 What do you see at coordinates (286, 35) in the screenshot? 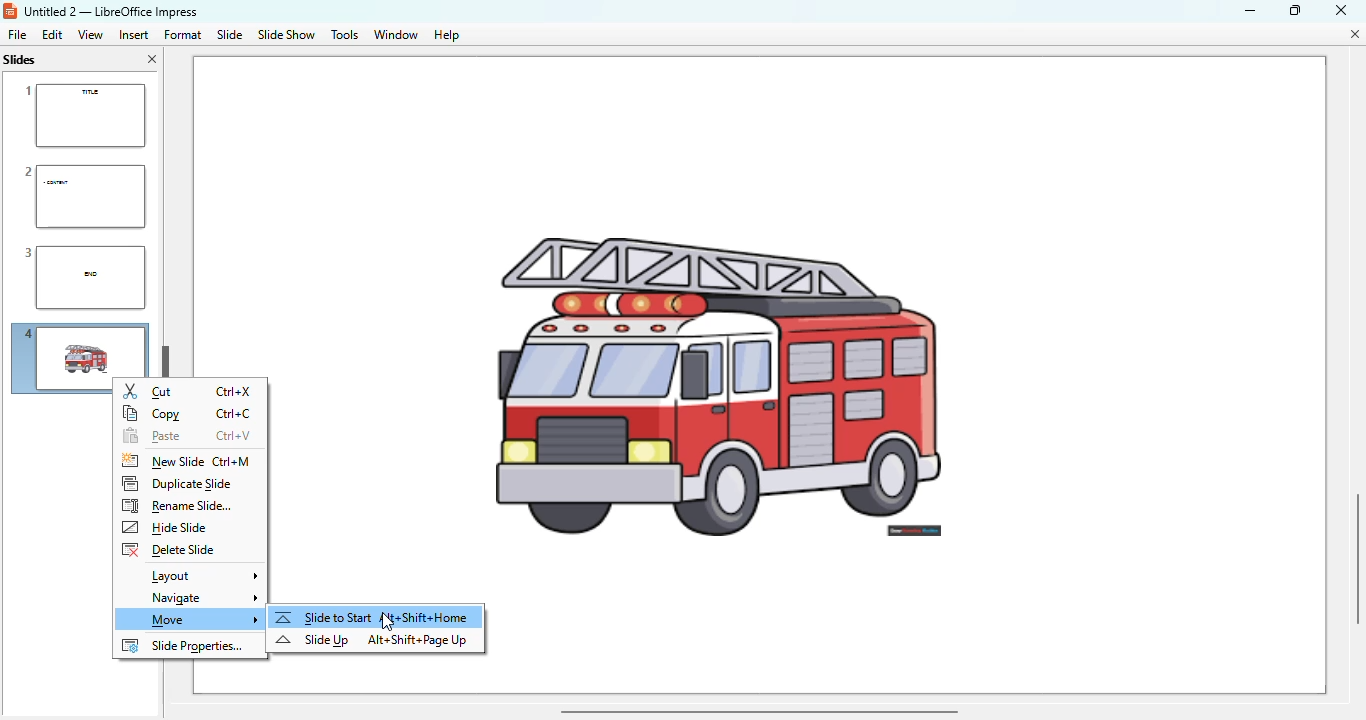
I see `slide show` at bounding box center [286, 35].